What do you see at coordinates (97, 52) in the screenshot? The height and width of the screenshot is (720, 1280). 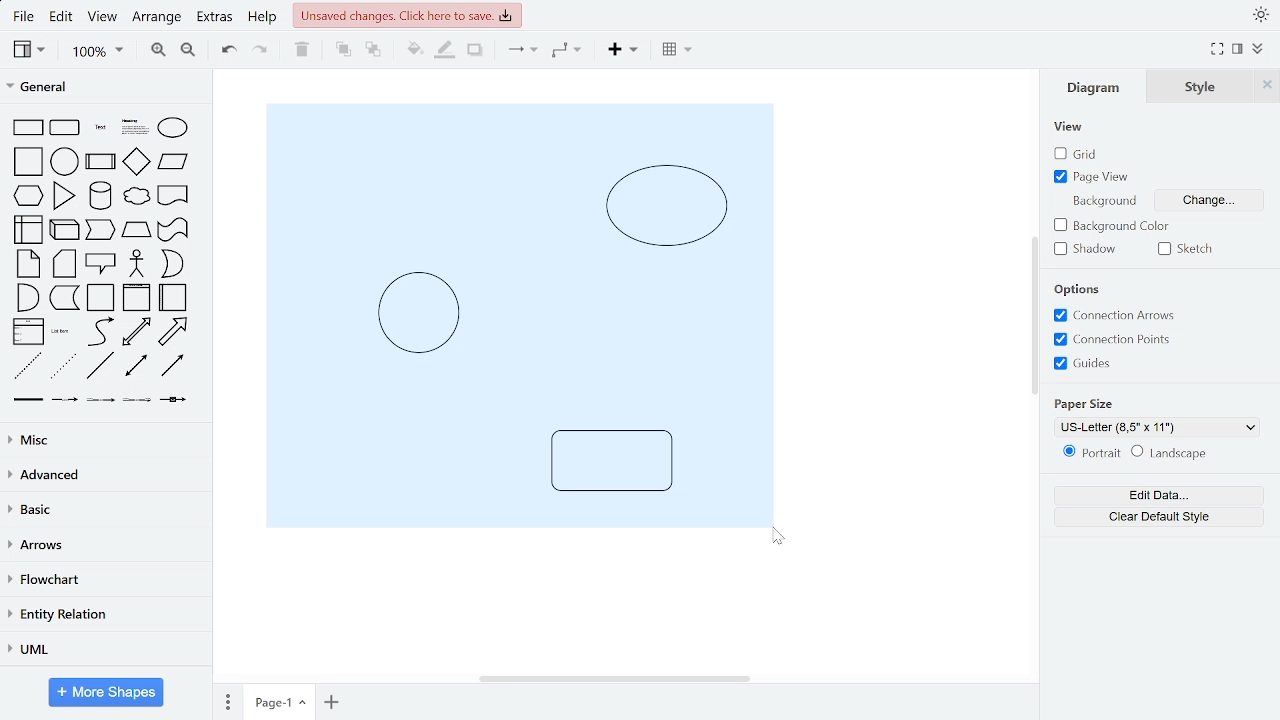 I see `100%` at bounding box center [97, 52].